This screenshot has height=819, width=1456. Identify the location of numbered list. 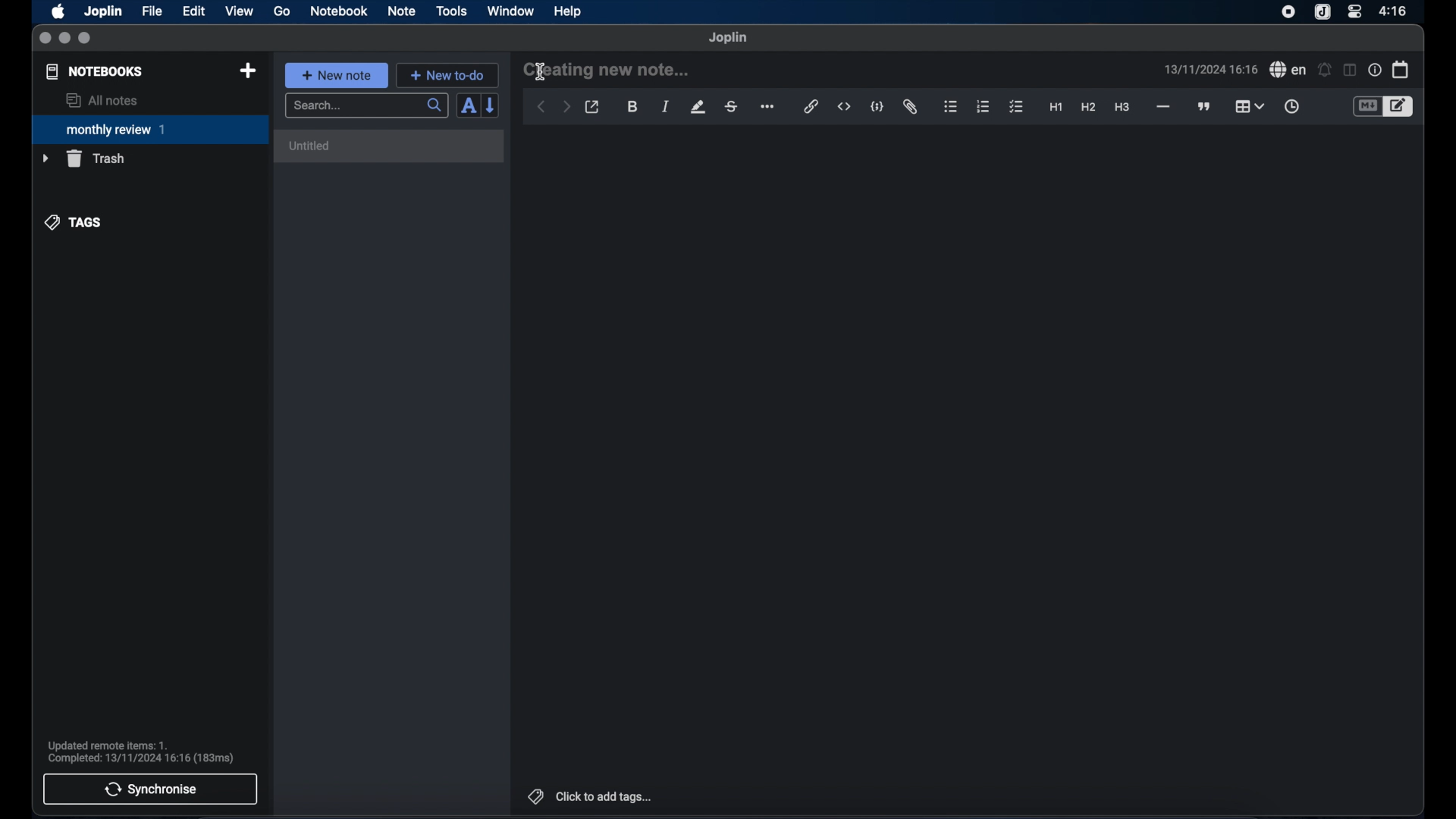
(983, 106).